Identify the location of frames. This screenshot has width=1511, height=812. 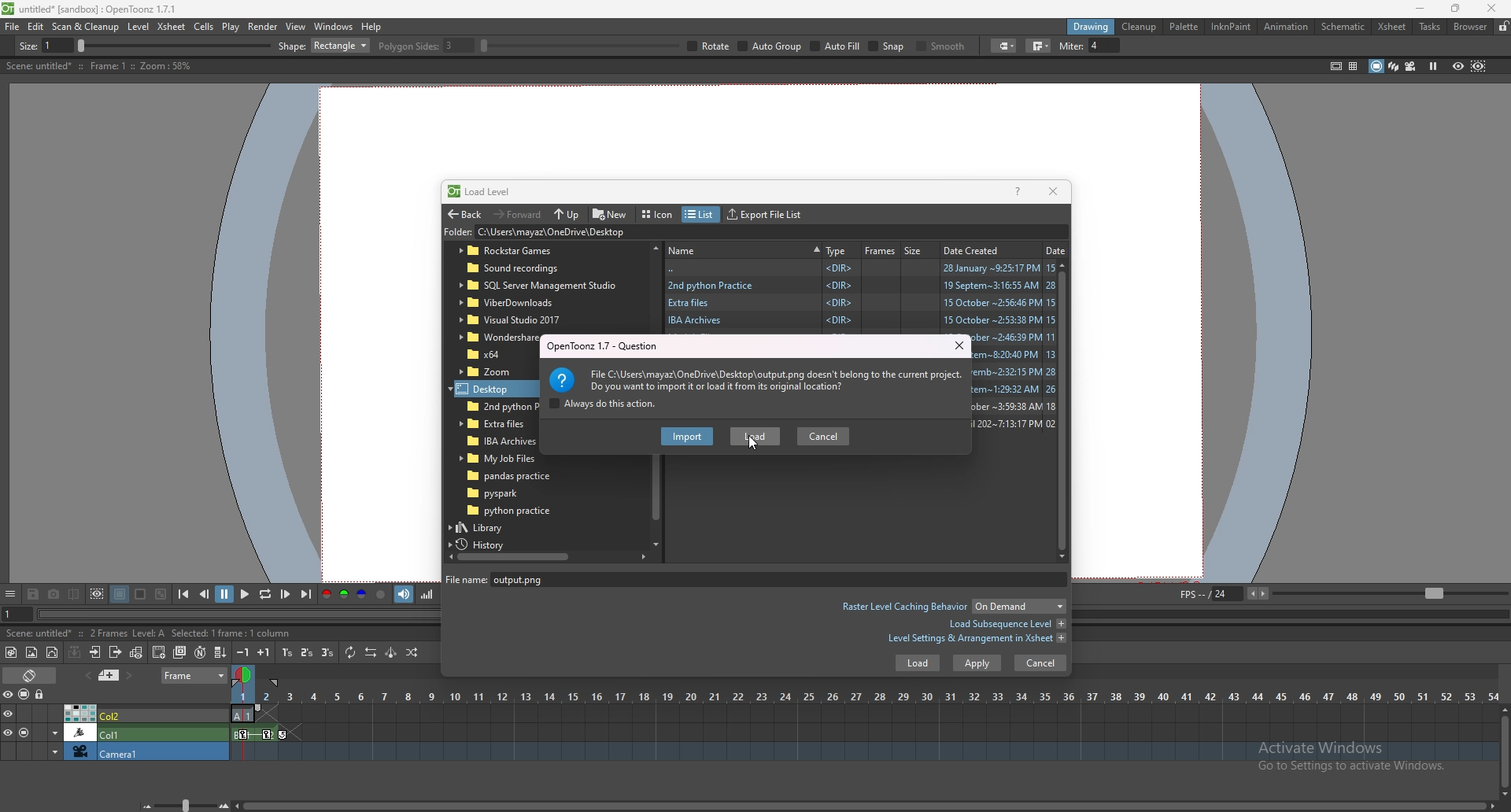
(881, 250).